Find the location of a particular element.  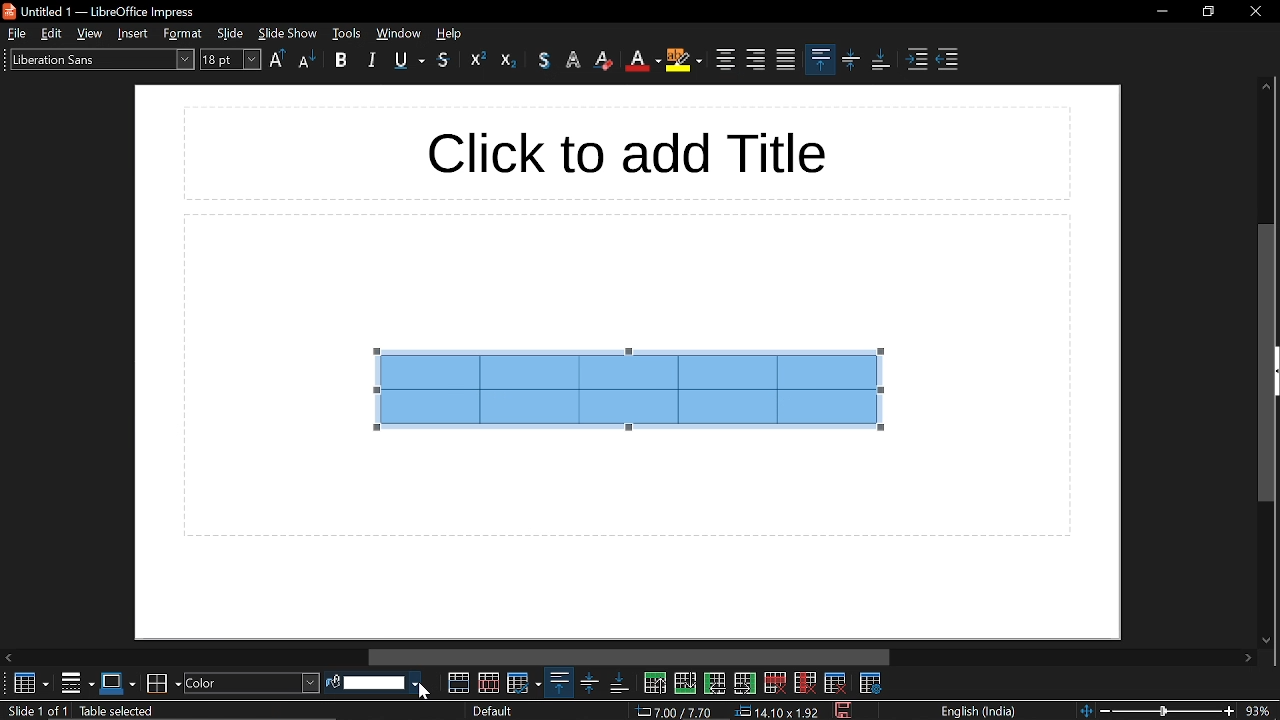

lower case is located at coordinates (309, 59).